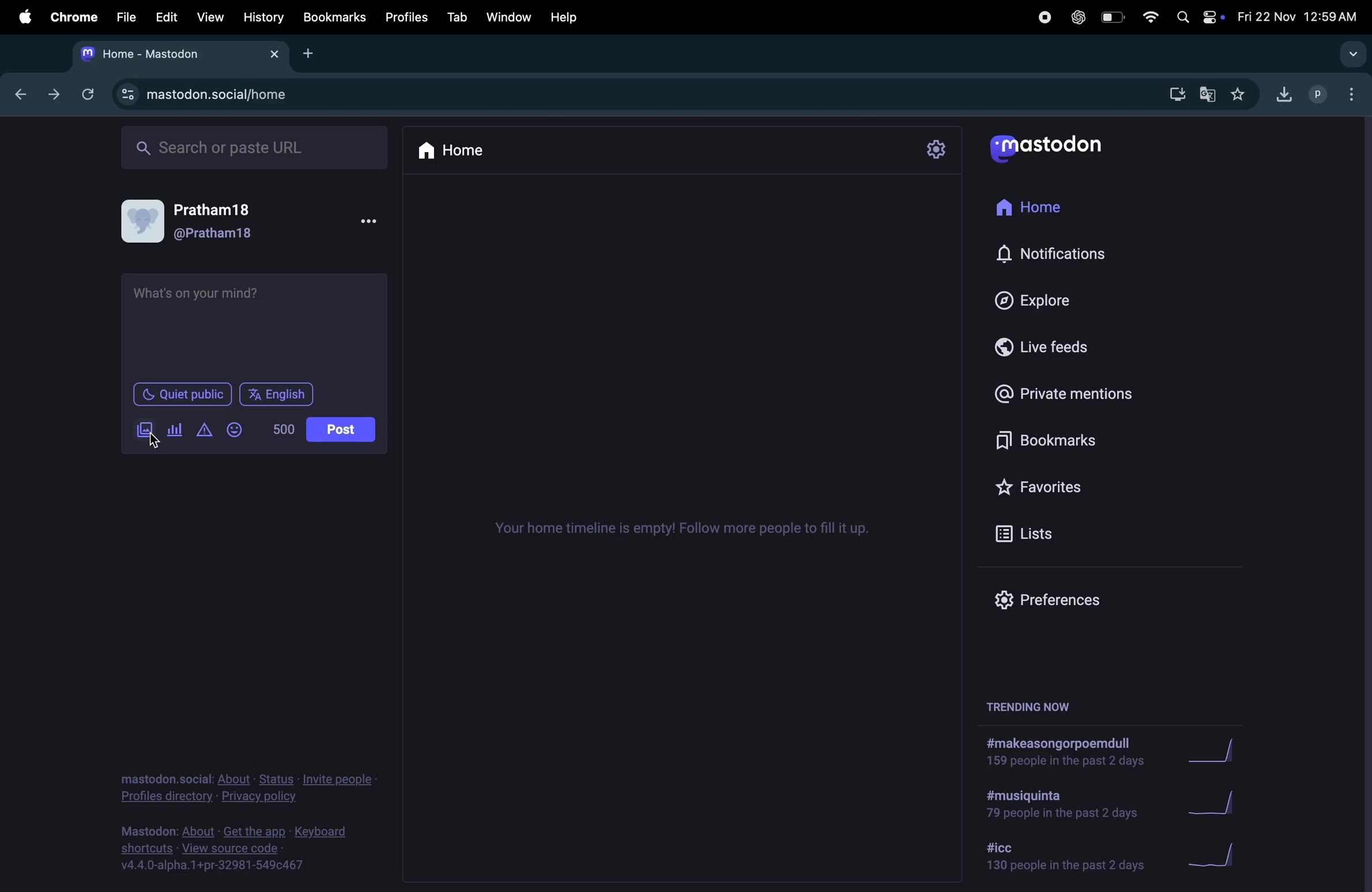  I want to click on hashtags, so click(1060, 806).